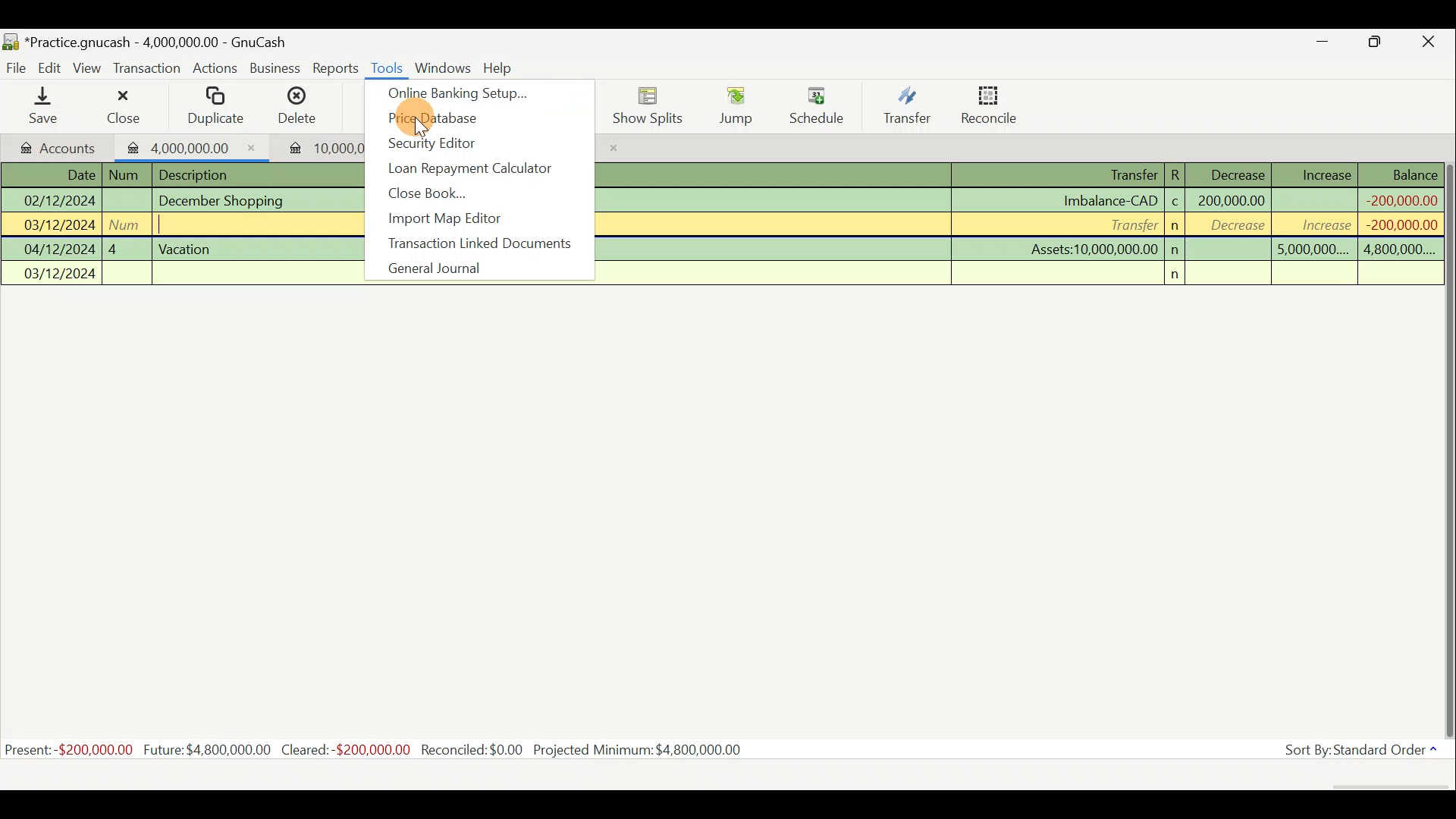 This screenshot has height=819, width=1456. I want to click on Close, so click(121, 106).